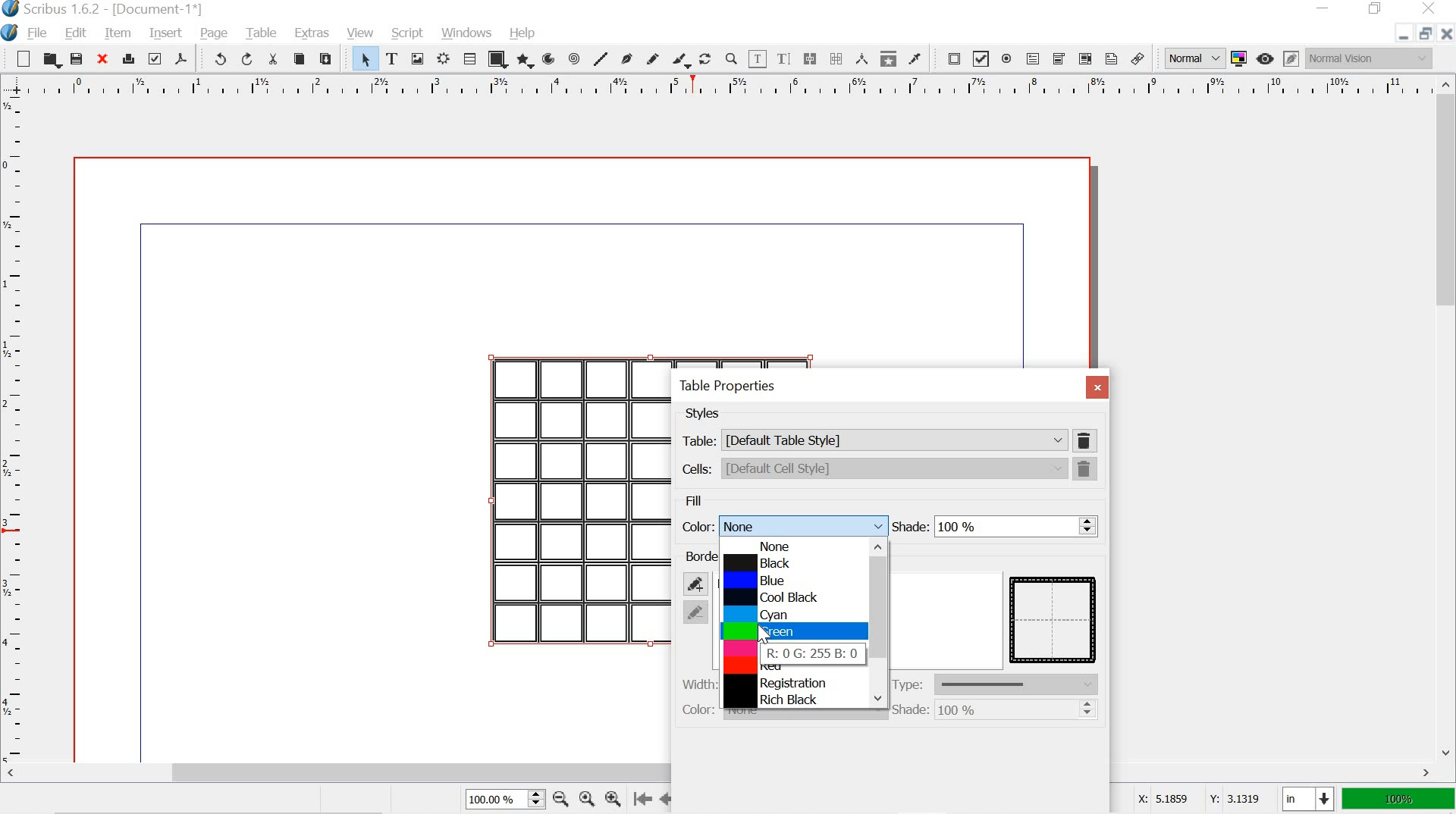 Image resolution: width=1456 pixels, height=814 pixels. Describe the element at coordinates (393, 59) in the screenshot. I see `text frame` at that location.